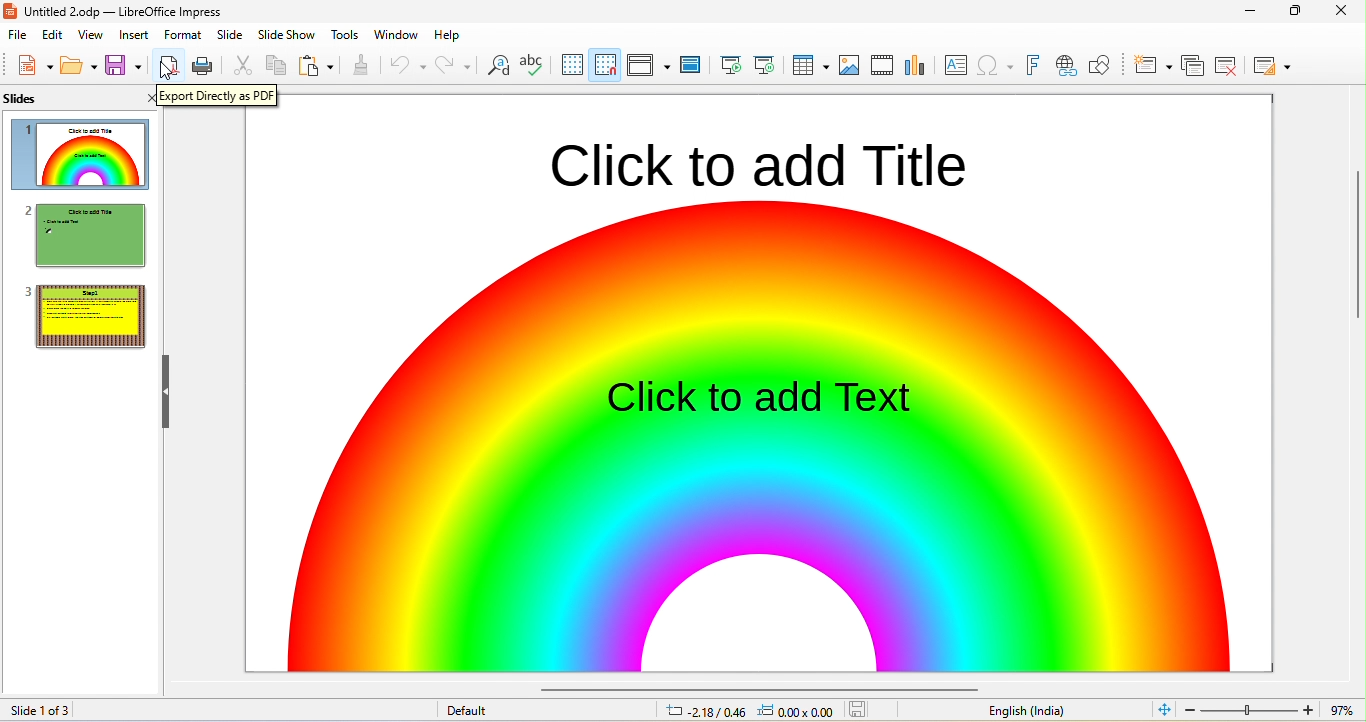 The height and width of the screenshot is (722, 1366). What do you see at coordinates (224, 100) in the screenshot?
I see `export directly as PDF` at bounding box center [224, 100].